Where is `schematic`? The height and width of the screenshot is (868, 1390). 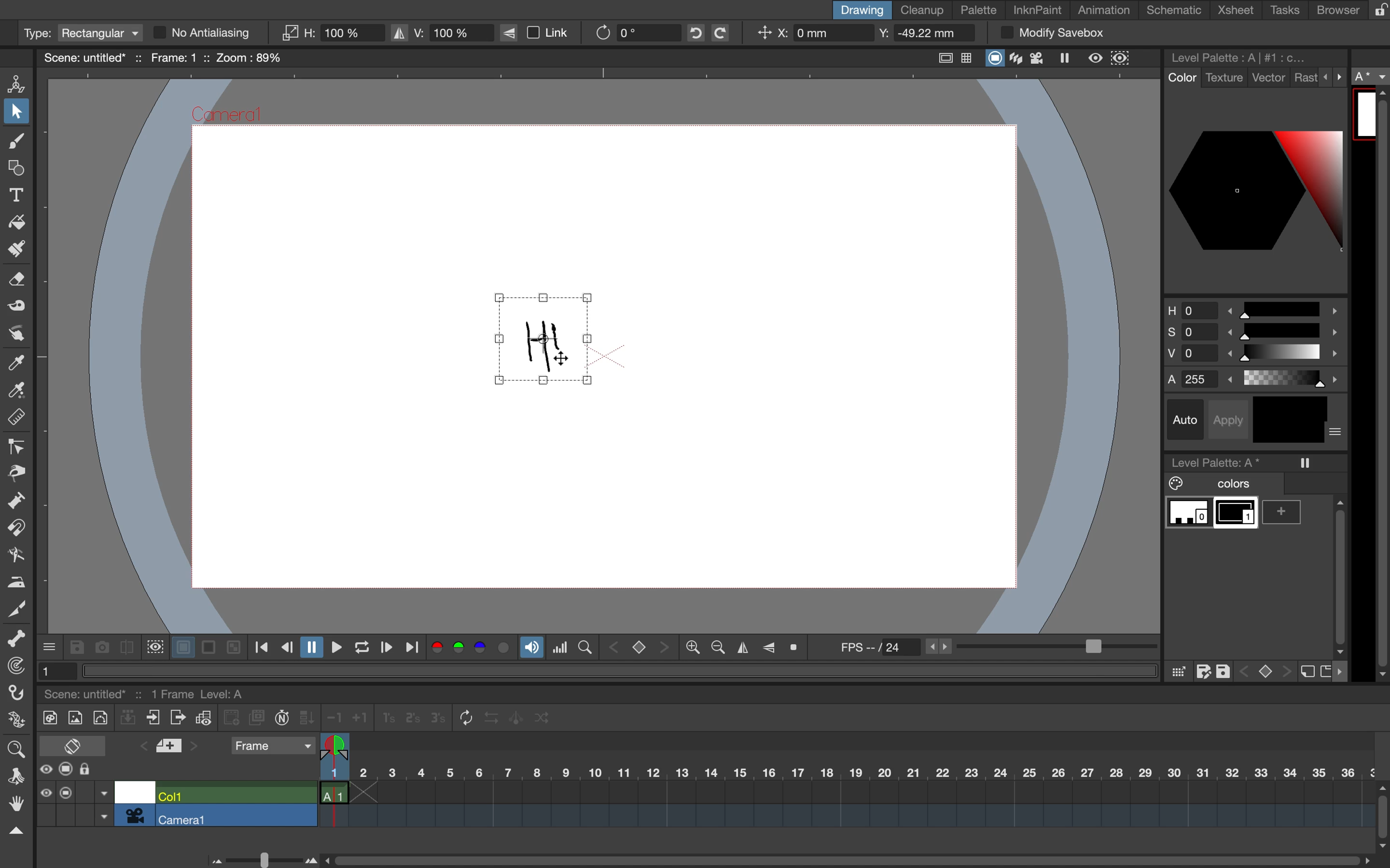
schematic is located at coordinates (1176, 10).